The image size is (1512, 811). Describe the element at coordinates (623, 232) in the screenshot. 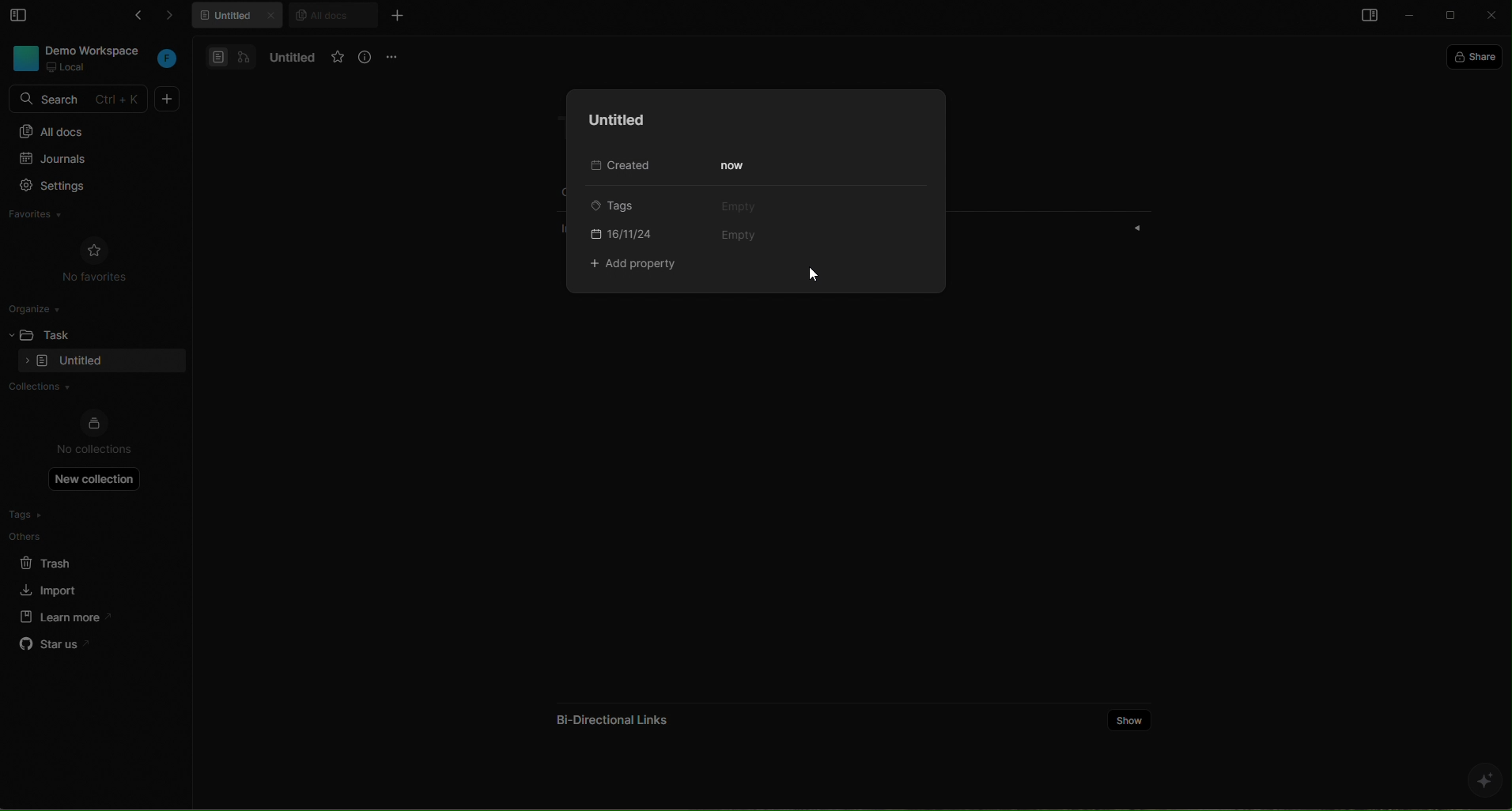

I see `16/11/24` at that location.